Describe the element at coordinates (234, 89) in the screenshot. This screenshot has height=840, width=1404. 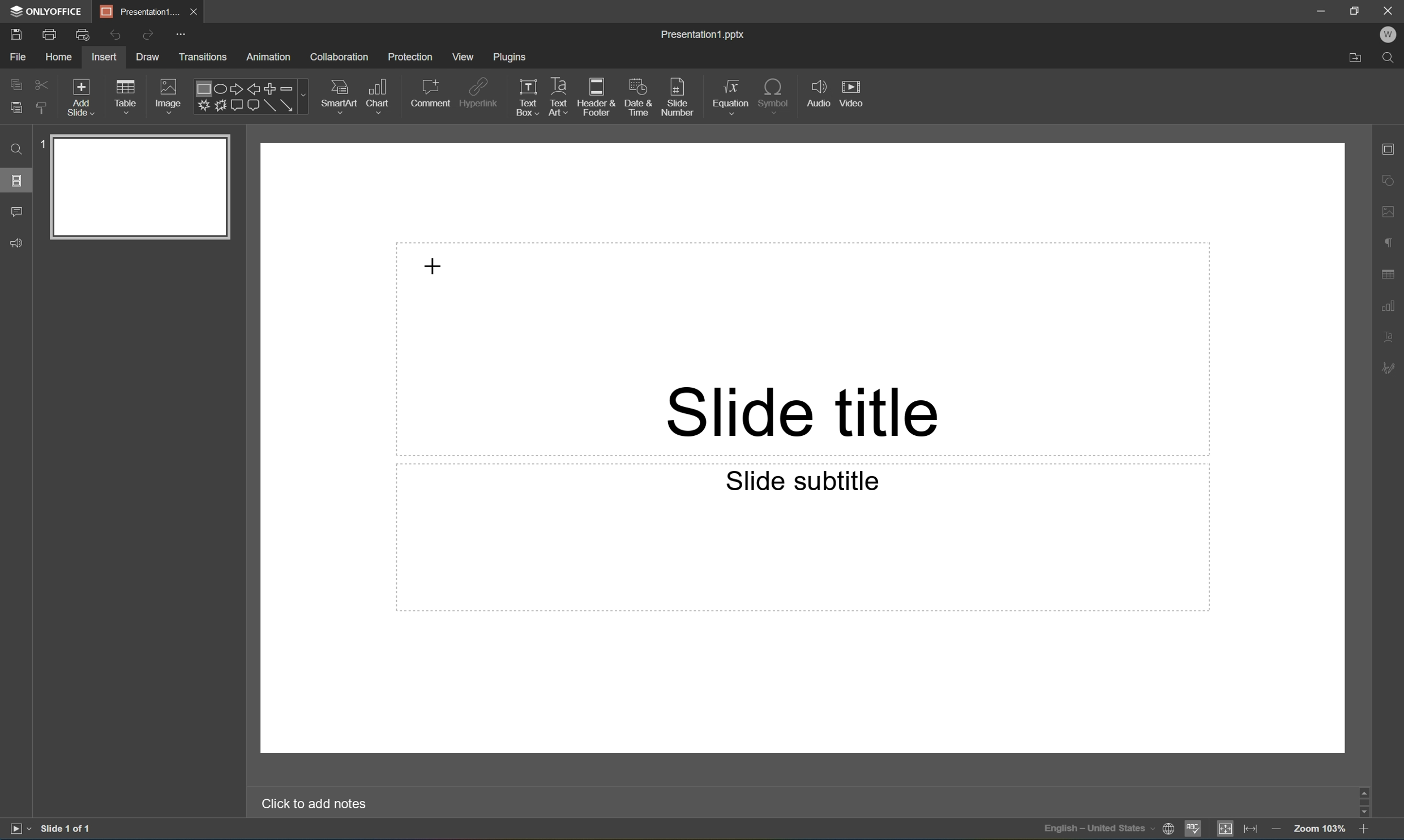
I see `Right arrow` at that location.